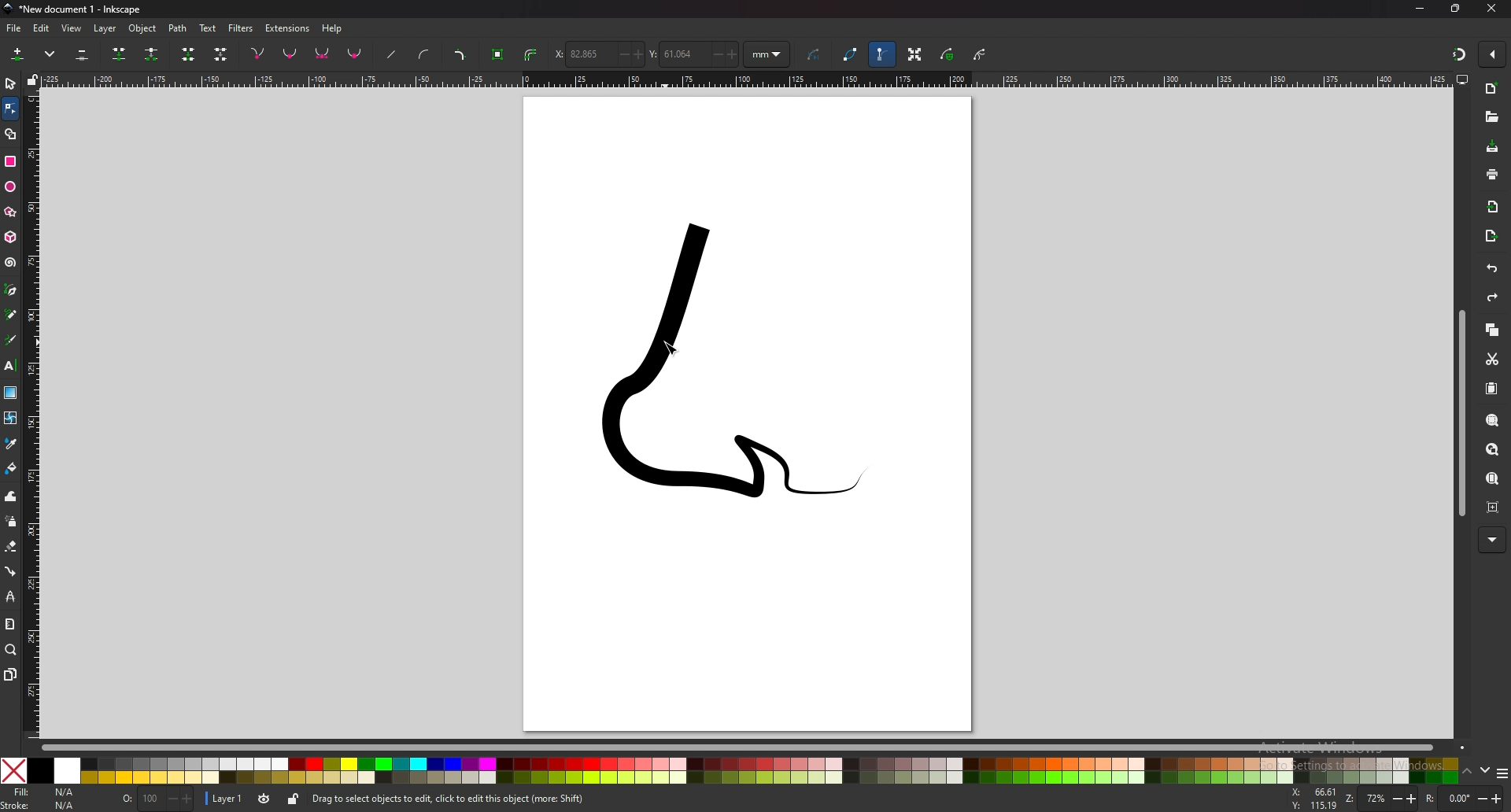 This screenshot has height=812, width=1511. I want to click on text, so click(208, 28).